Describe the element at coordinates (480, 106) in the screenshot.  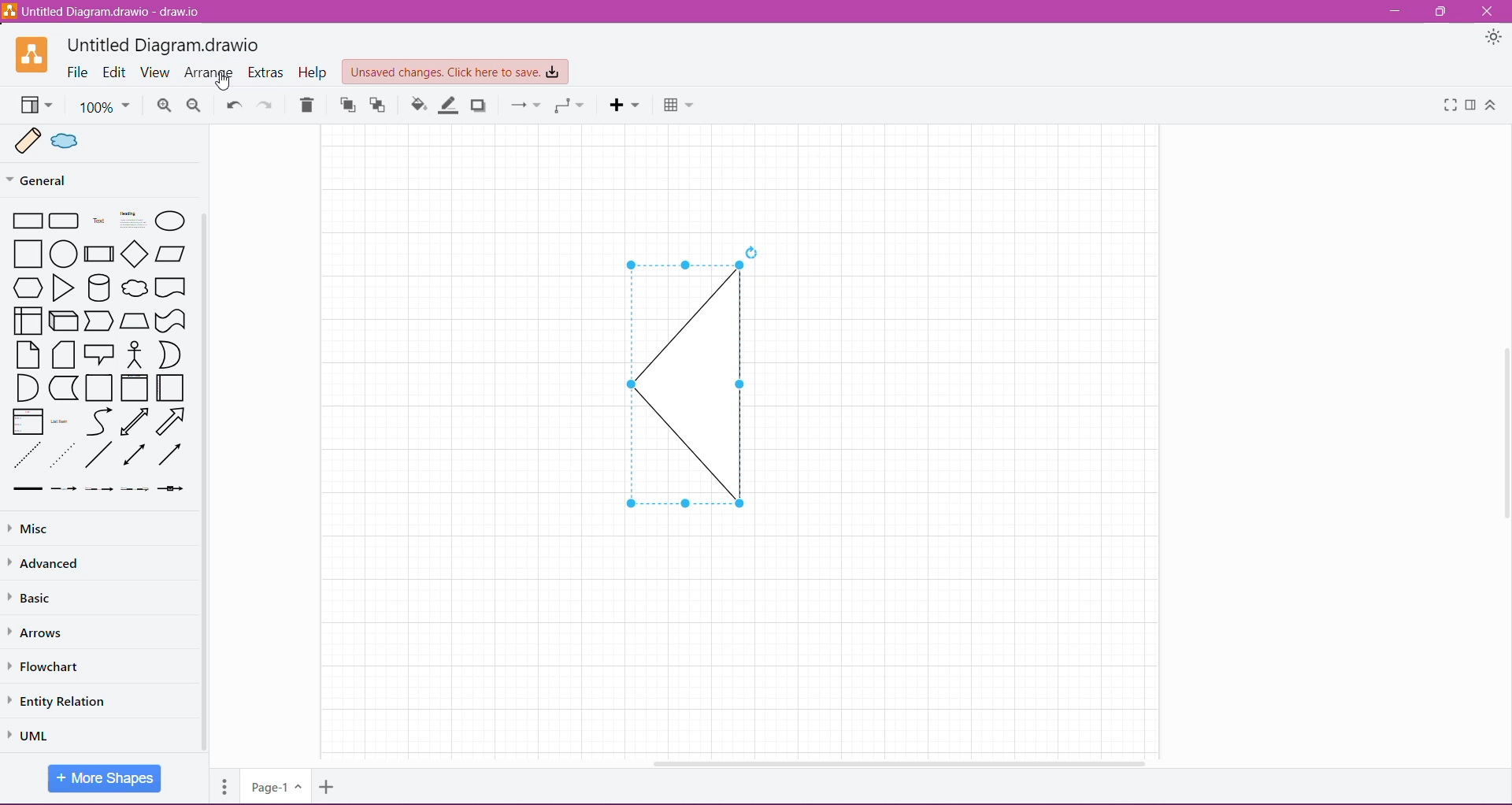
I see `Shadow` at that location.